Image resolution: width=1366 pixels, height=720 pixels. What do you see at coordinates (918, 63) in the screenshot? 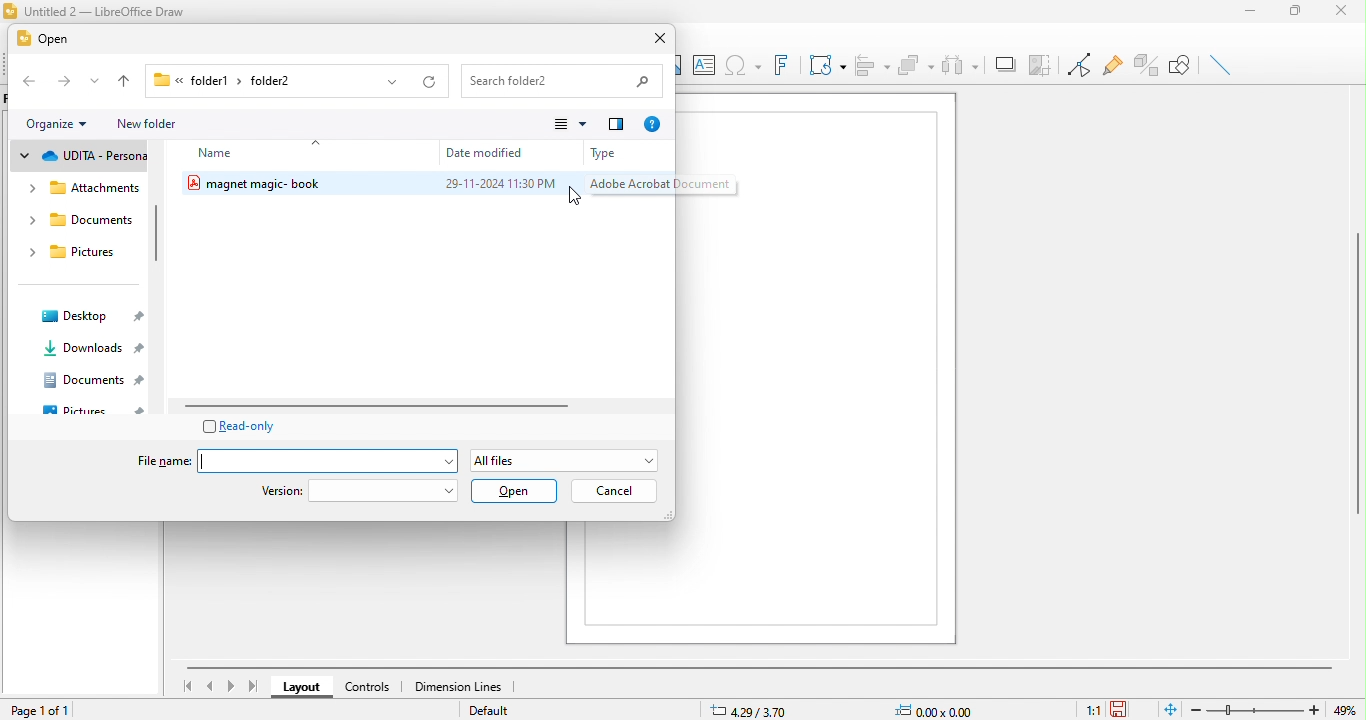
I see `arrange` at bounding box center [918, 63].